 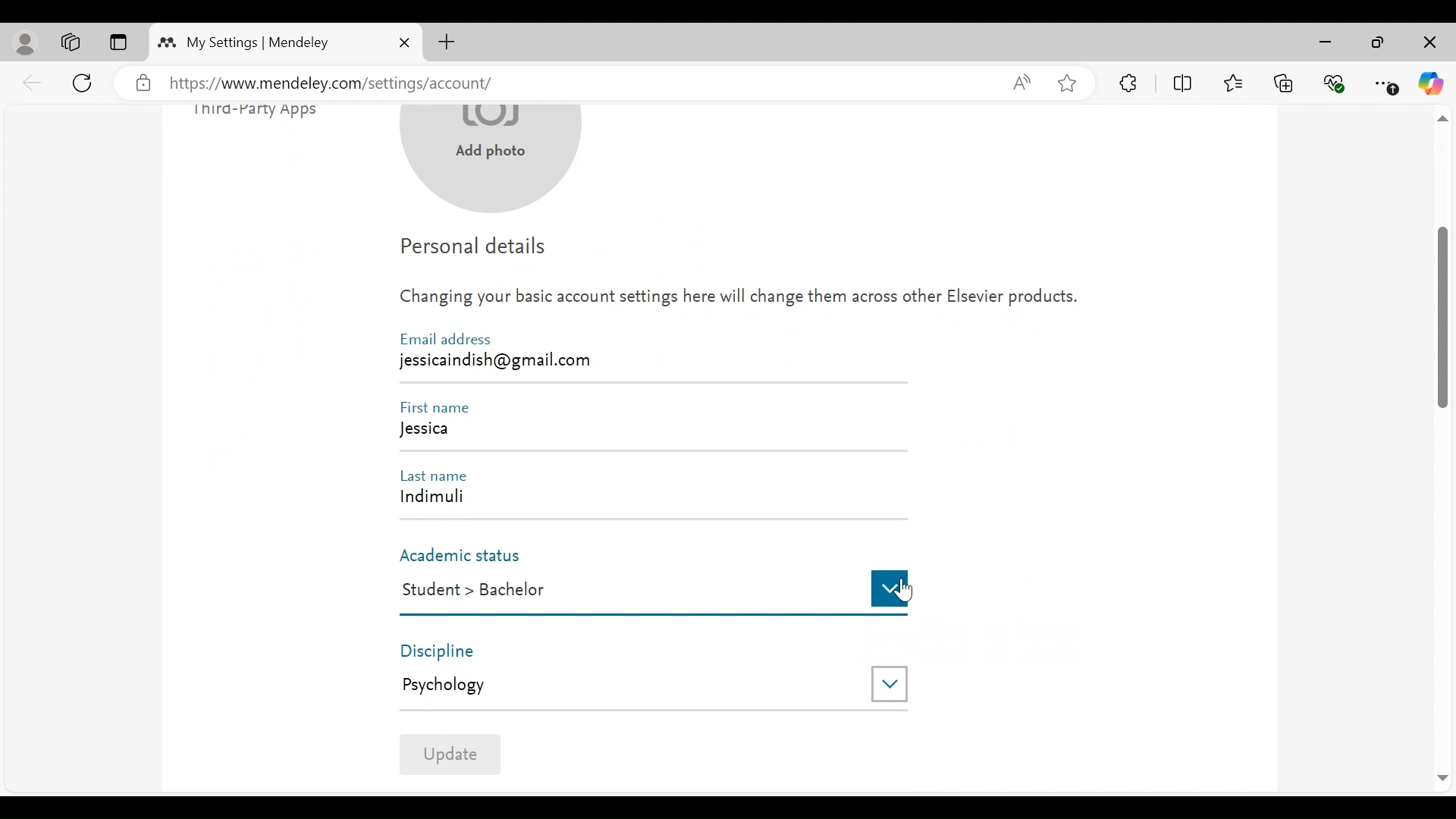 What do you see at coordinates (625, 590) in the screenshot?
I see `Student > Bachelor` at bounding box center [625, 590].